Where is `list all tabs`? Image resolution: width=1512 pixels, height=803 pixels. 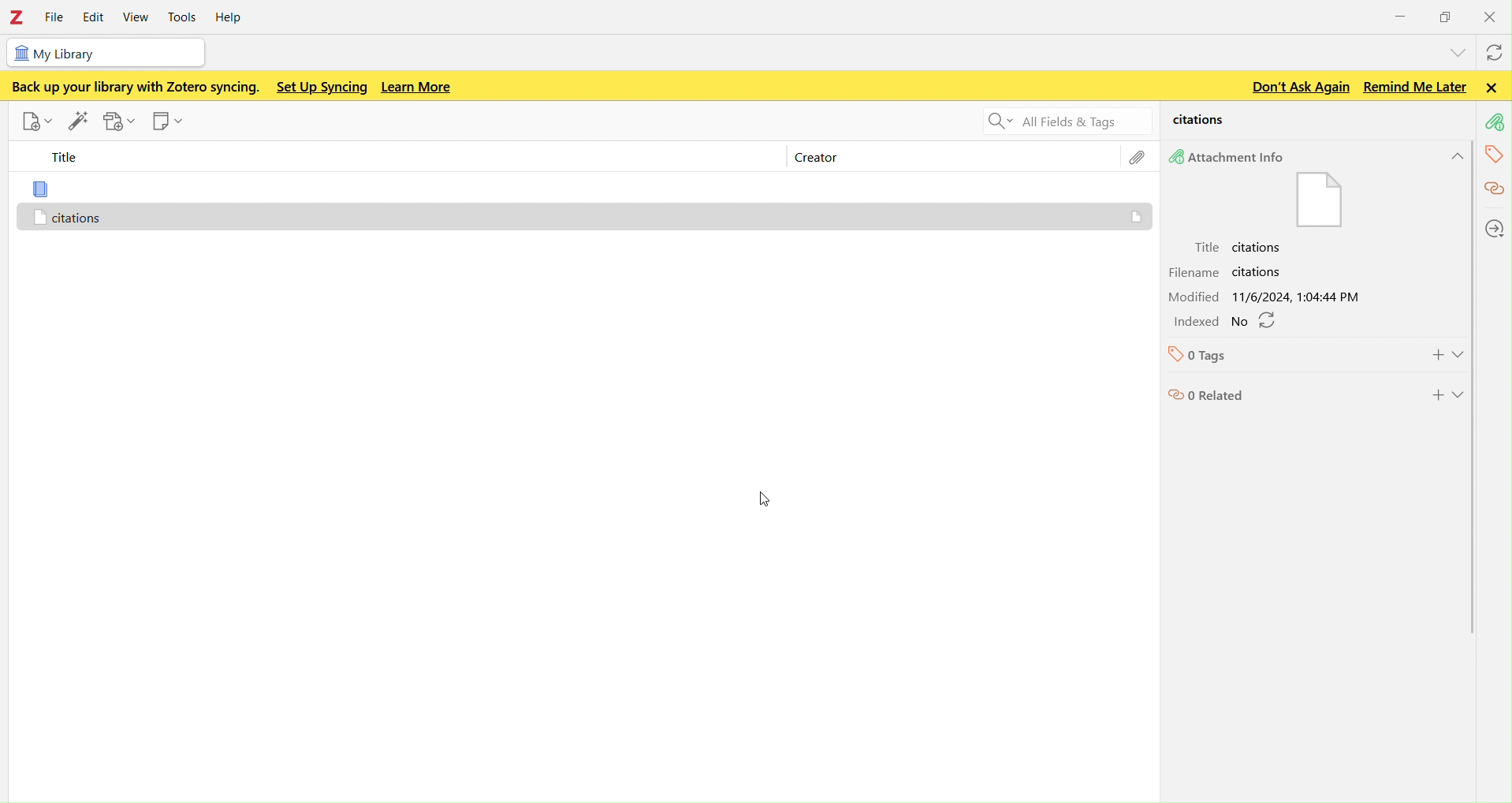
list all tabs is located at coordinates (1458, 52).